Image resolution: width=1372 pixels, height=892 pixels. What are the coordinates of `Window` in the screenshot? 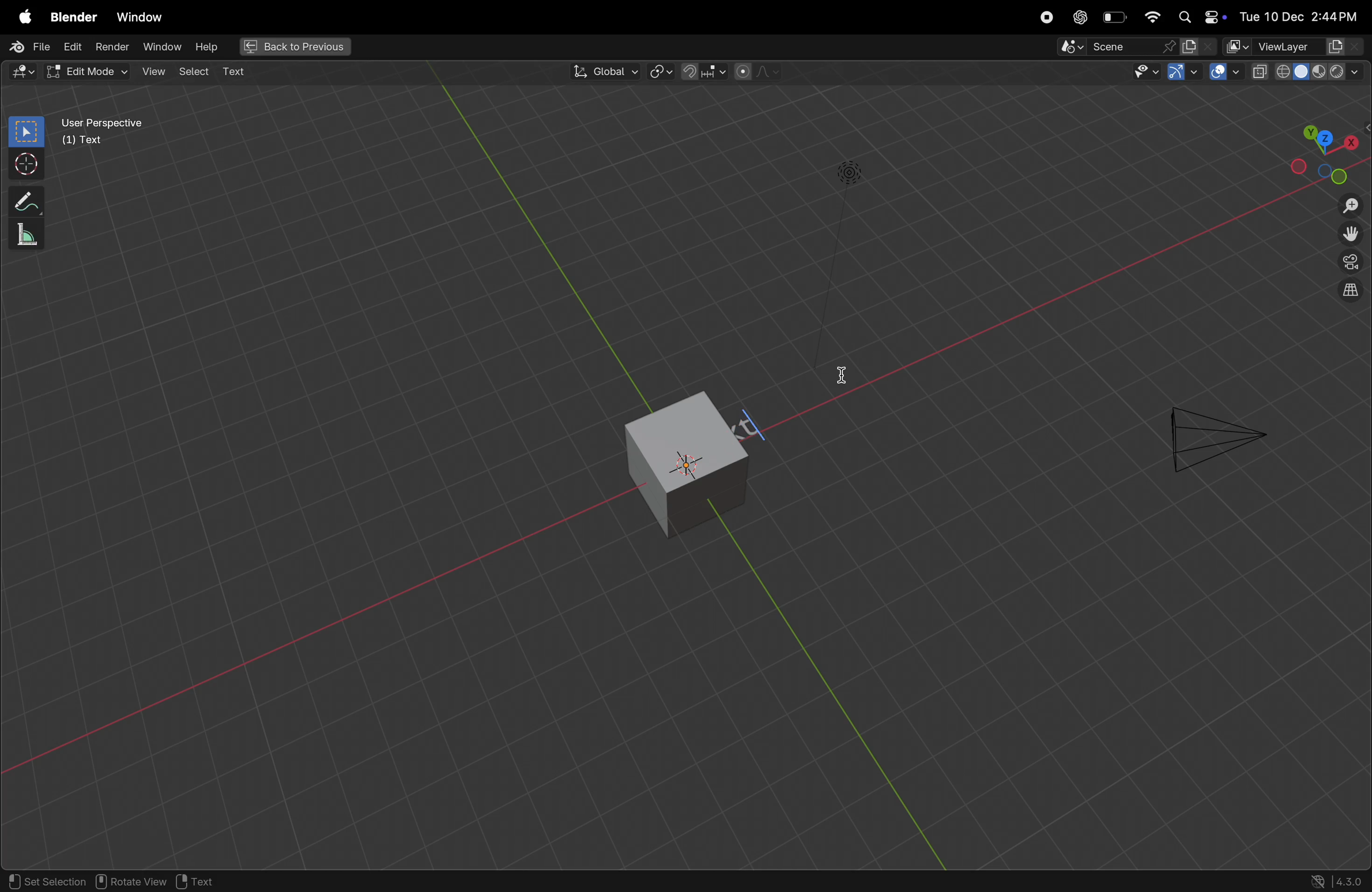 It's located at (141, 14).